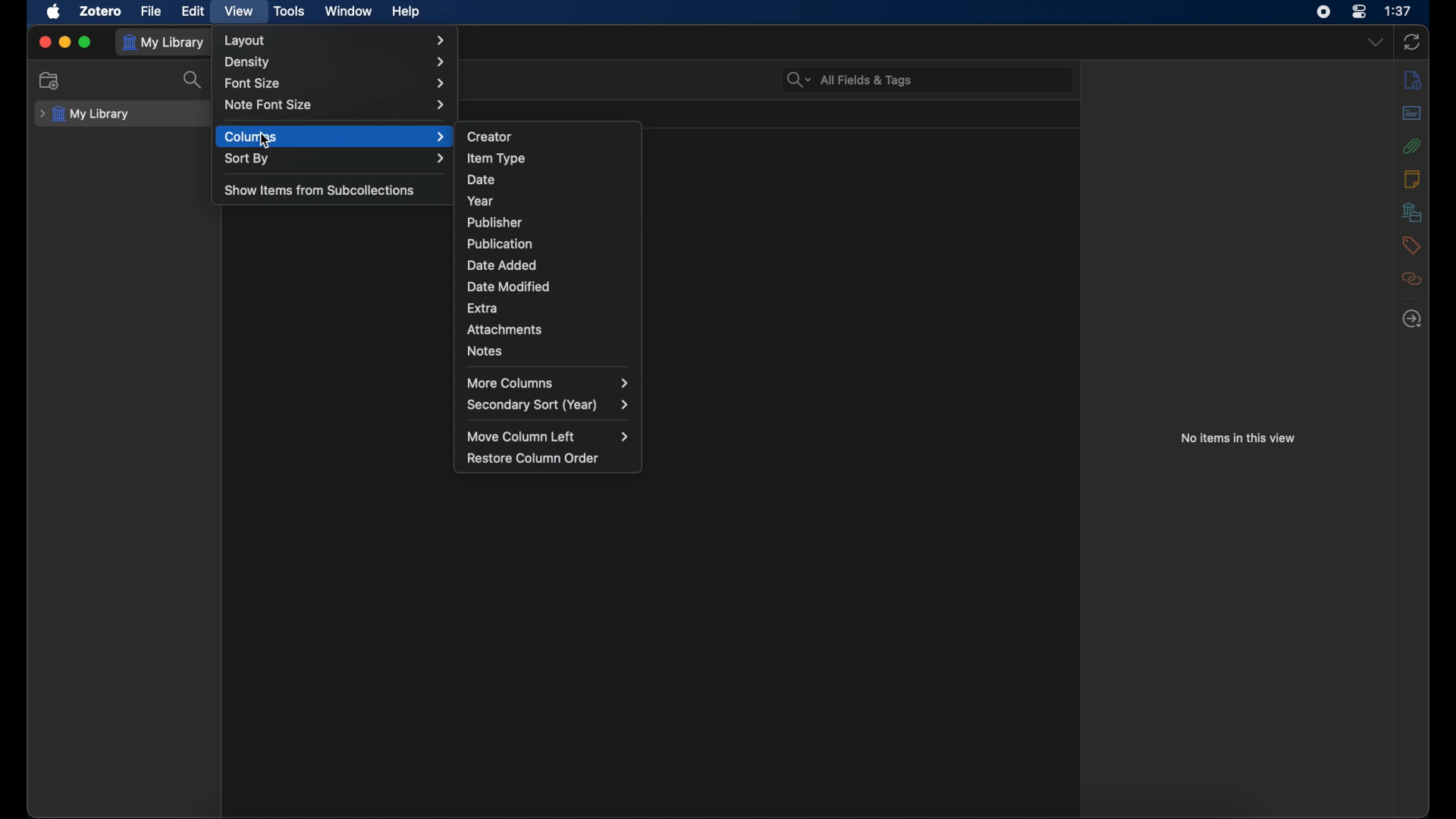 This screenshot has height=819, width=1456. Describe the element at coordinates (1412, 319) in the screenshot. I see `locate` at that location.